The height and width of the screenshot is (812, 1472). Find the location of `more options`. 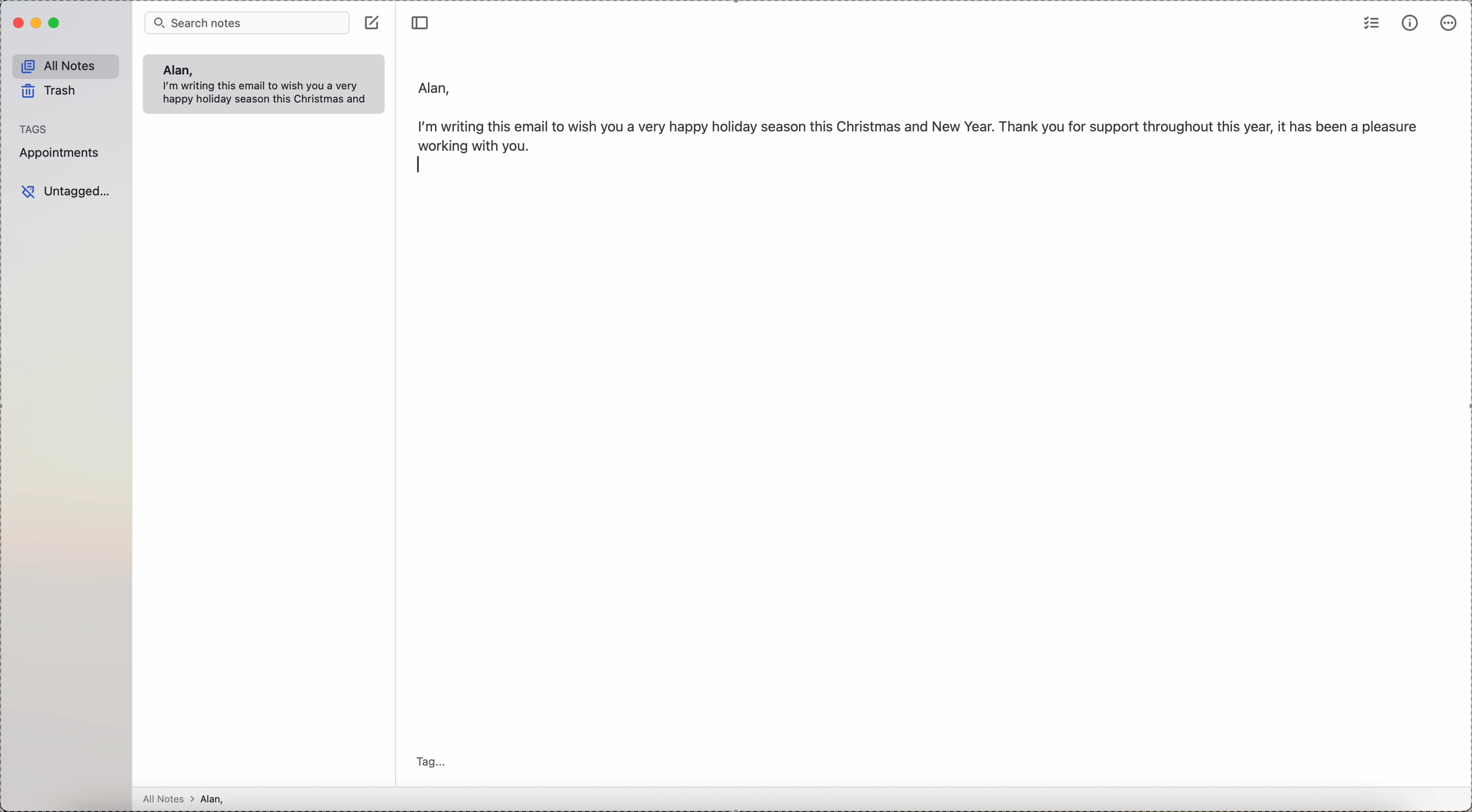

more options is located at coordinates (1449, 23).